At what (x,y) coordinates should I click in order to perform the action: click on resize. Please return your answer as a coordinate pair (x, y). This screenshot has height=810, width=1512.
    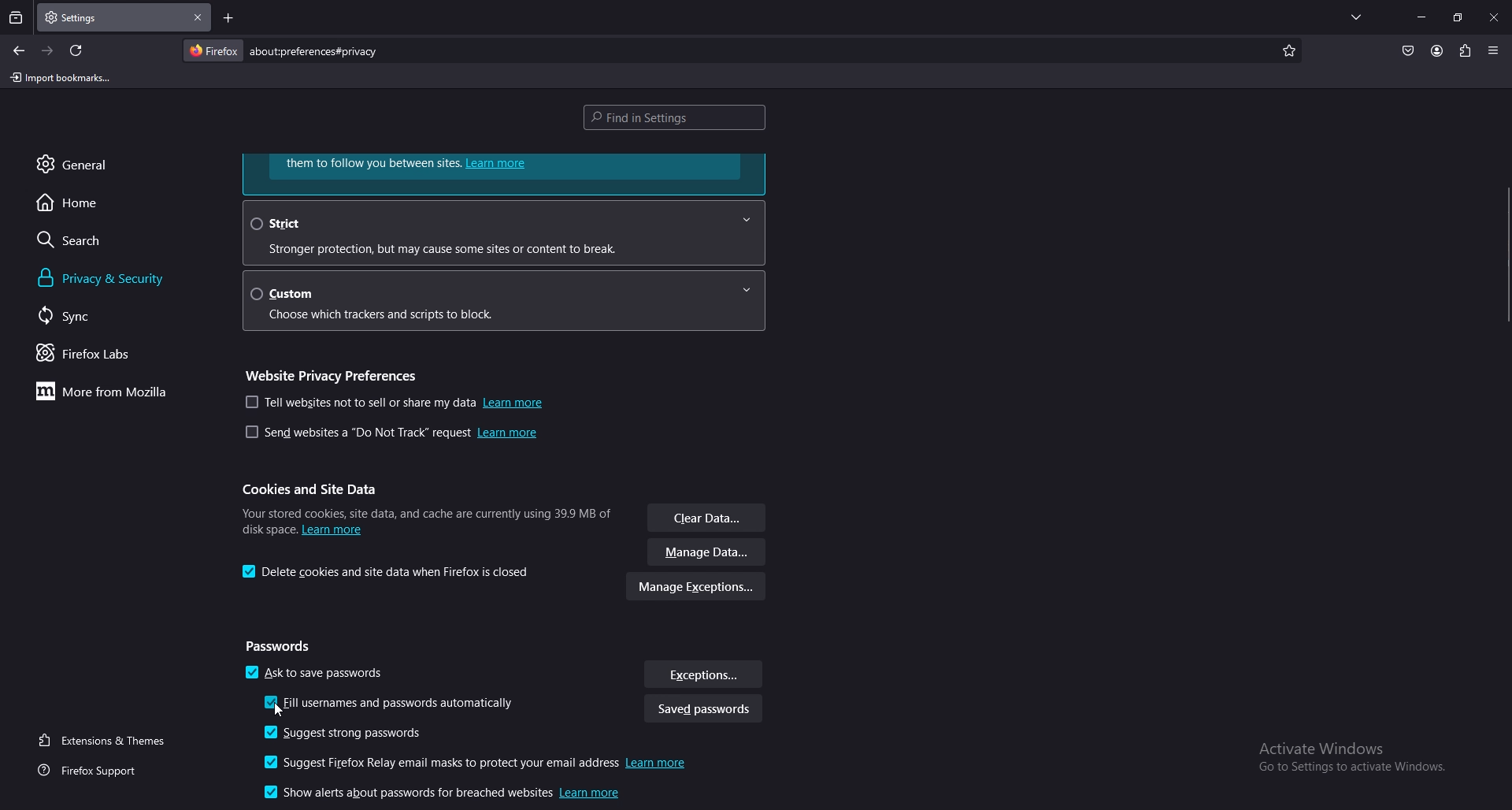
    Looking at the image, I should click on (1457, 17).